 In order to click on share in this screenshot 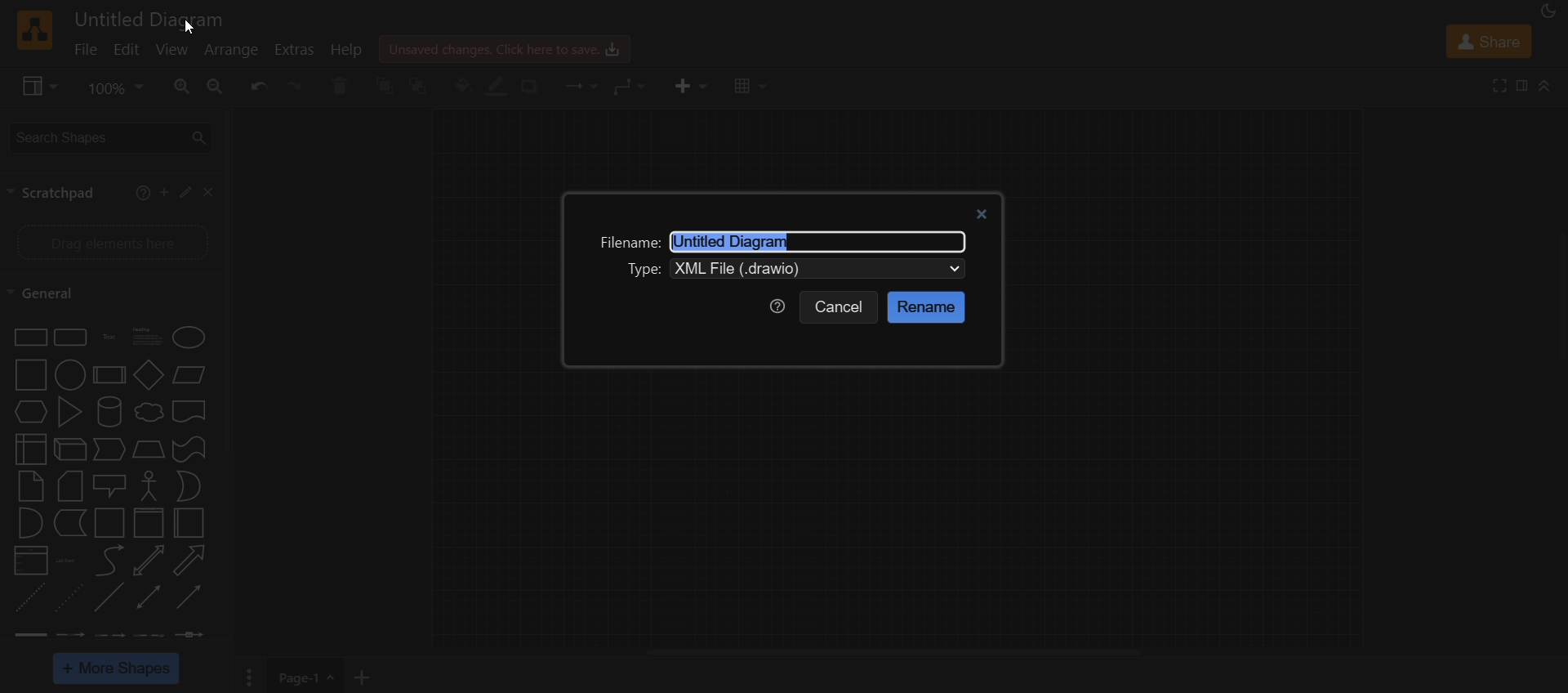, I will do `click(1490, 43)`.